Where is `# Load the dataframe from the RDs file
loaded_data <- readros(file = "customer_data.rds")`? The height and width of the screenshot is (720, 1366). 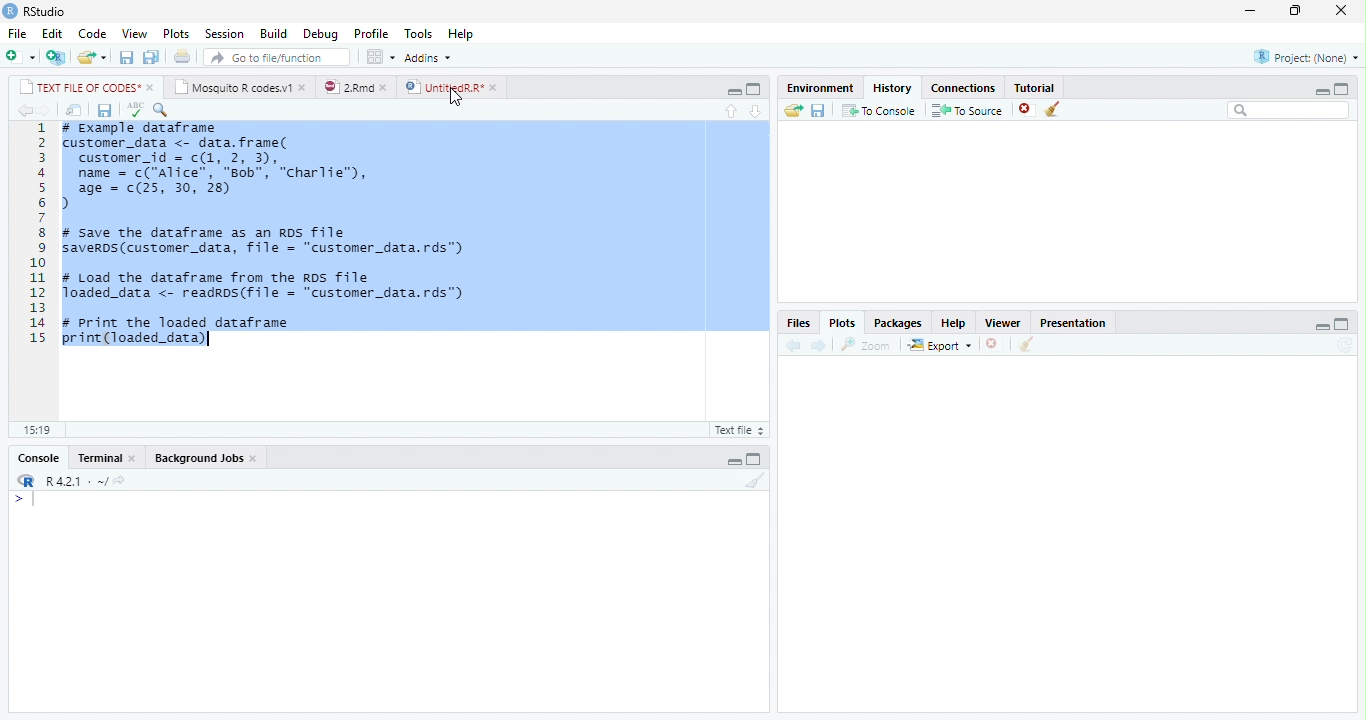 # Load the dataframe from the RDs file
loaded_data <- readros(file = "customer_data.rds") is located at coordinates (266, 286).